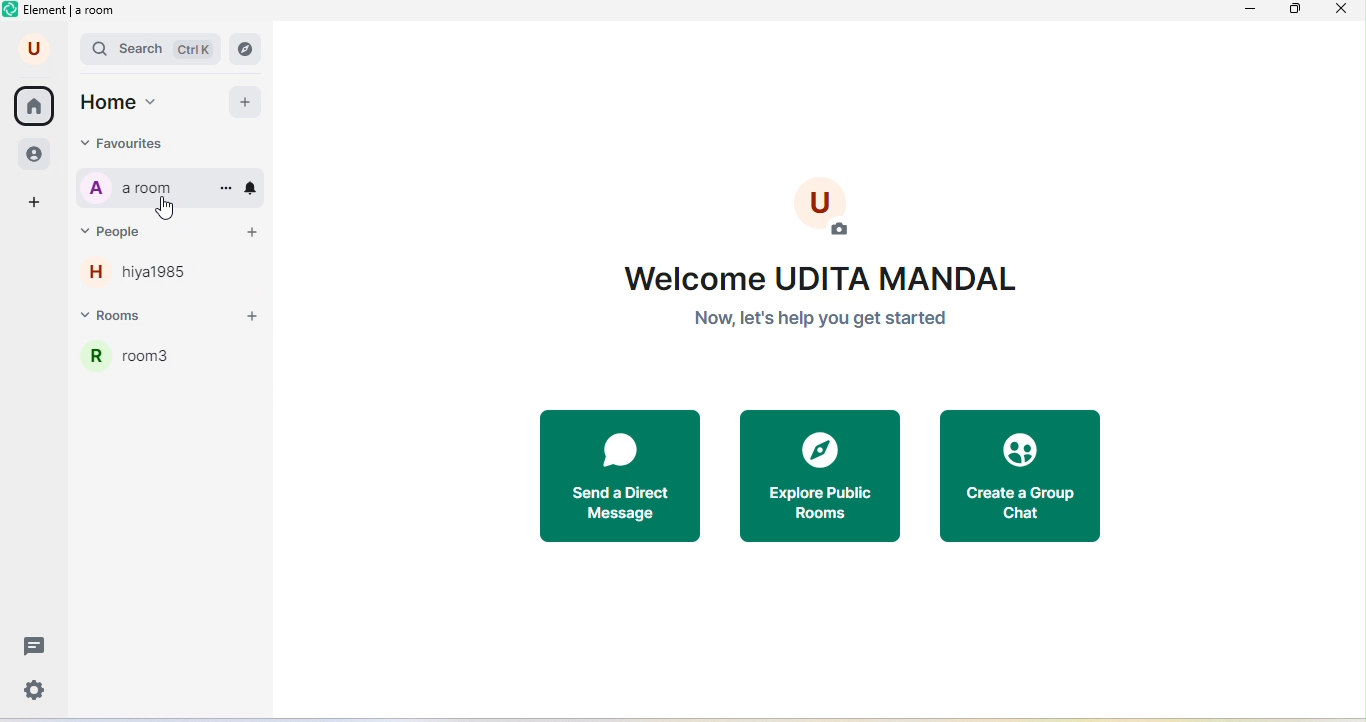 The height and width of the screenshot is (722, 1366). What do you see at coordinates (254, 187) in the screenshot?
I see `notifications` at bounding box center [254, 187].